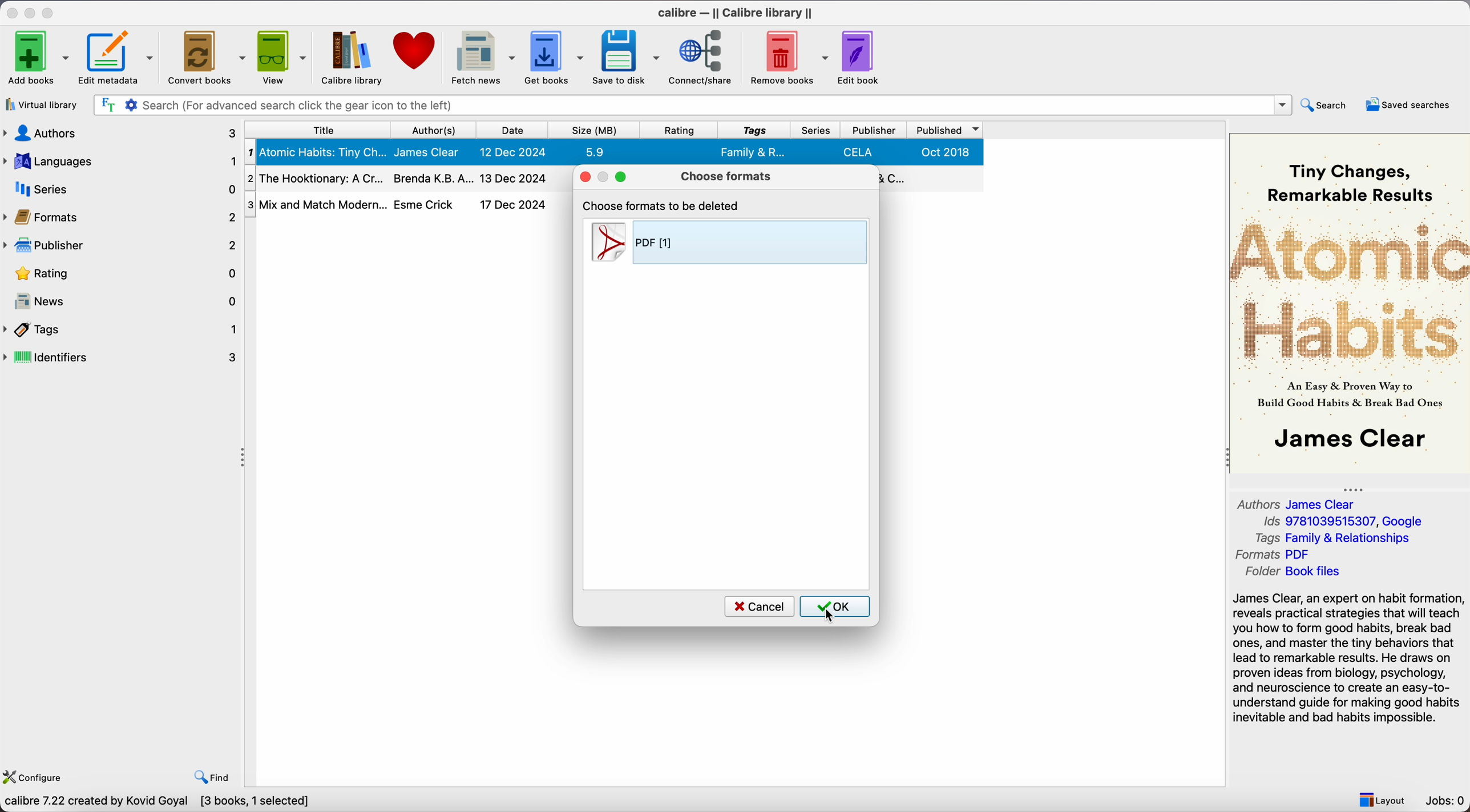 This screenshot has width=1470, height=812. I want to click on 5.9, so click(597, 152).